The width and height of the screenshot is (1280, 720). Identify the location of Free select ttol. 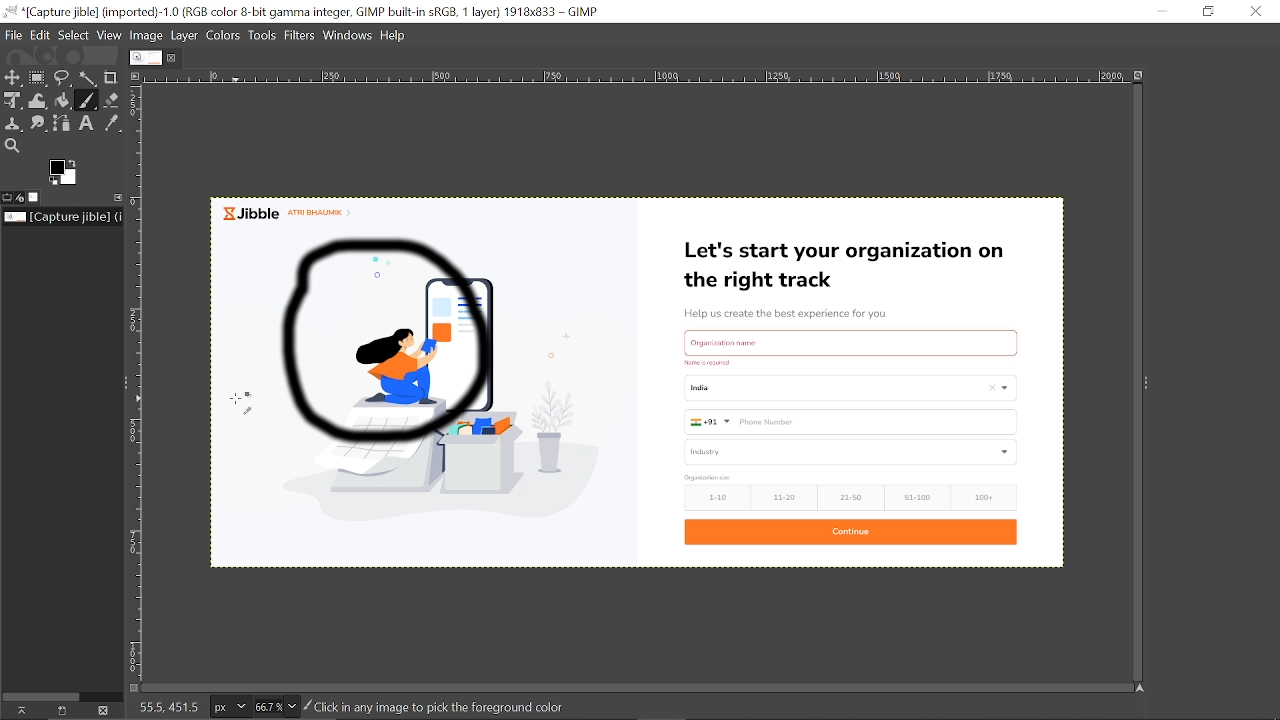
(64, 79).